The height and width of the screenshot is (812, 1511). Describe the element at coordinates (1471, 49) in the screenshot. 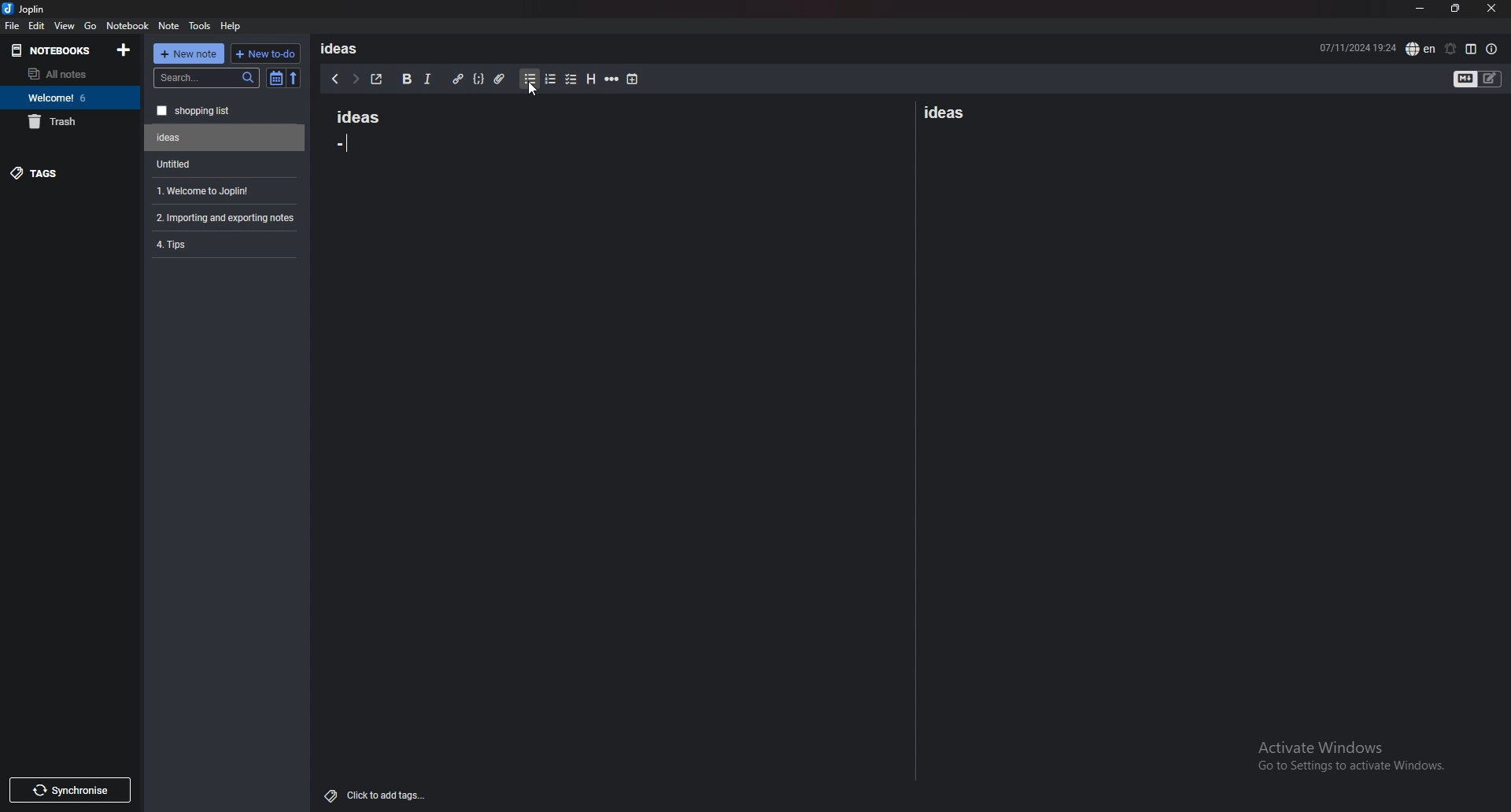

I see `toggle editor layout` at that location.